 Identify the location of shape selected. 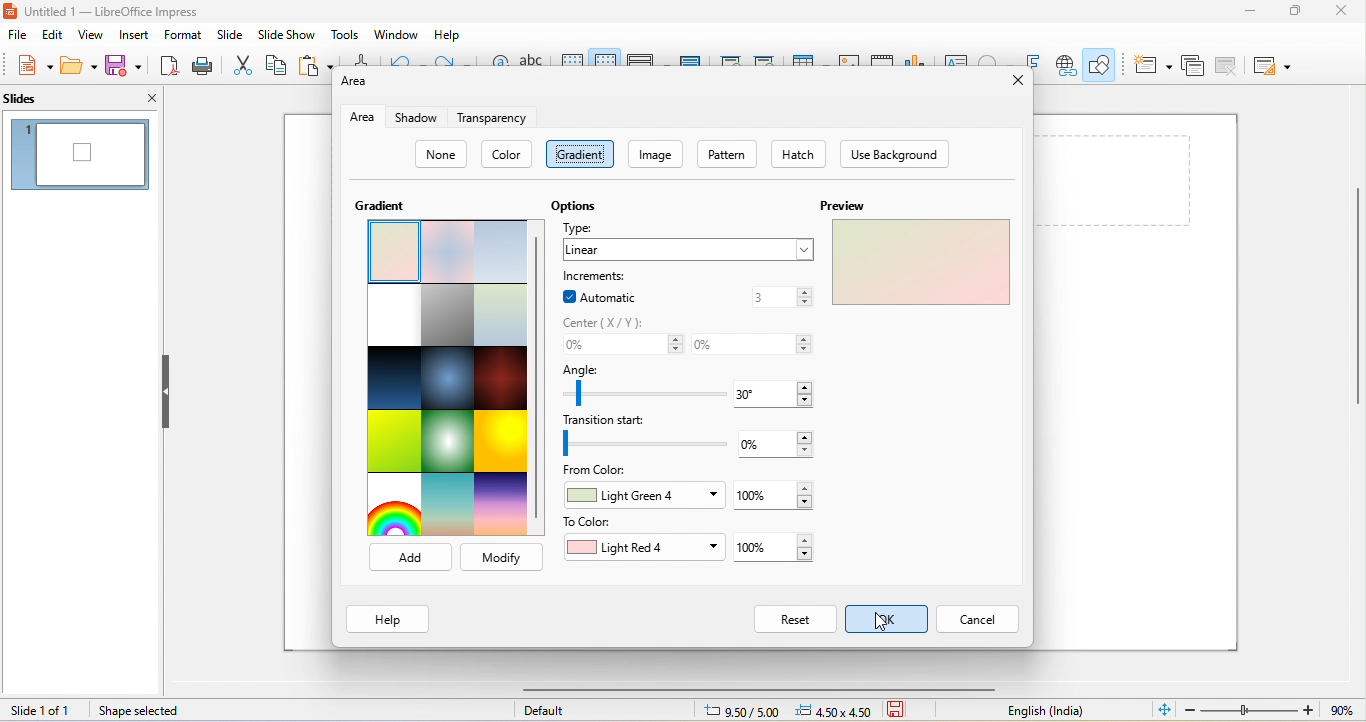
(143, 712).